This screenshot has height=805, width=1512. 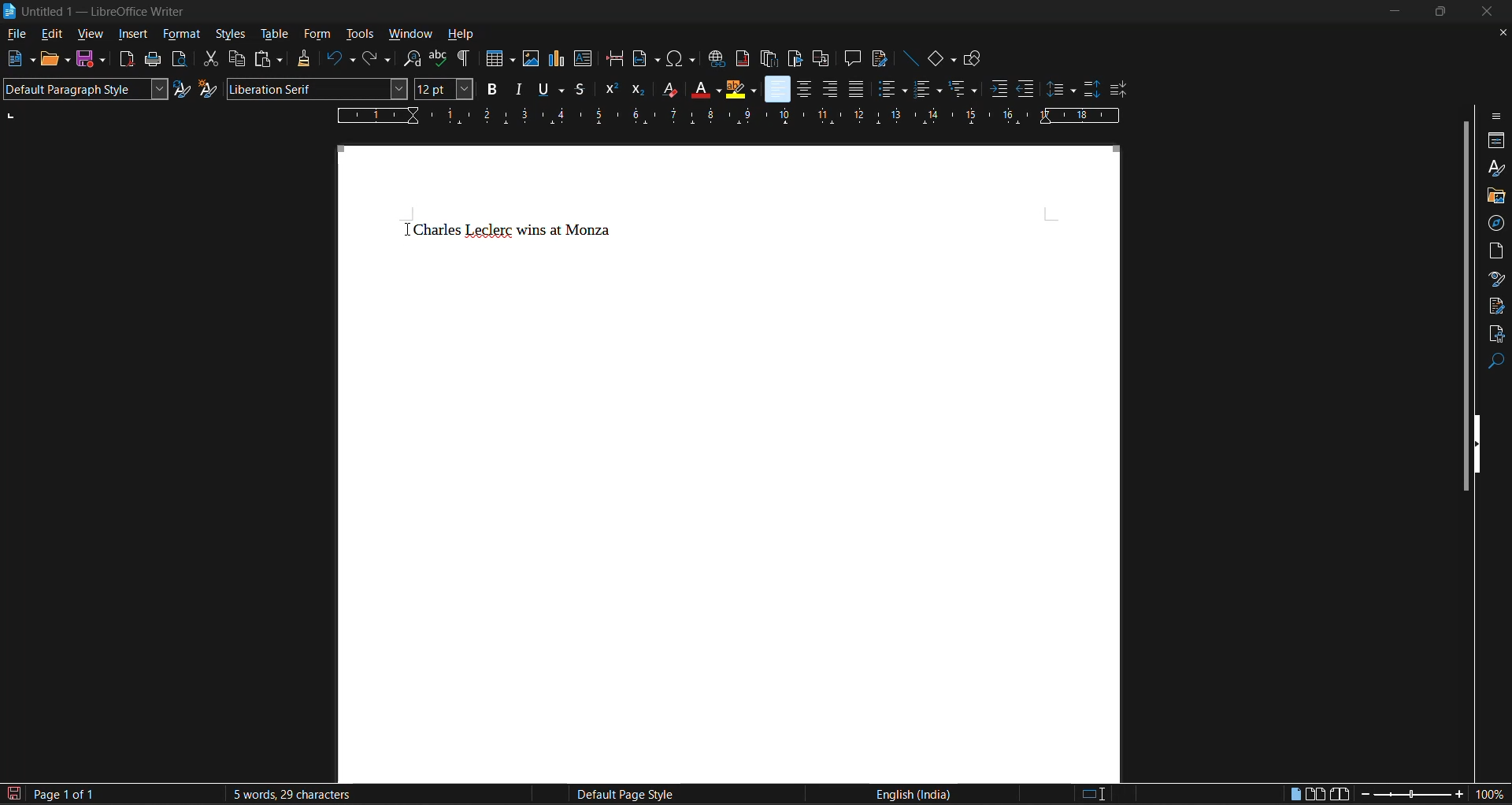 I want to click on click to save, so click(x=16, y=795).